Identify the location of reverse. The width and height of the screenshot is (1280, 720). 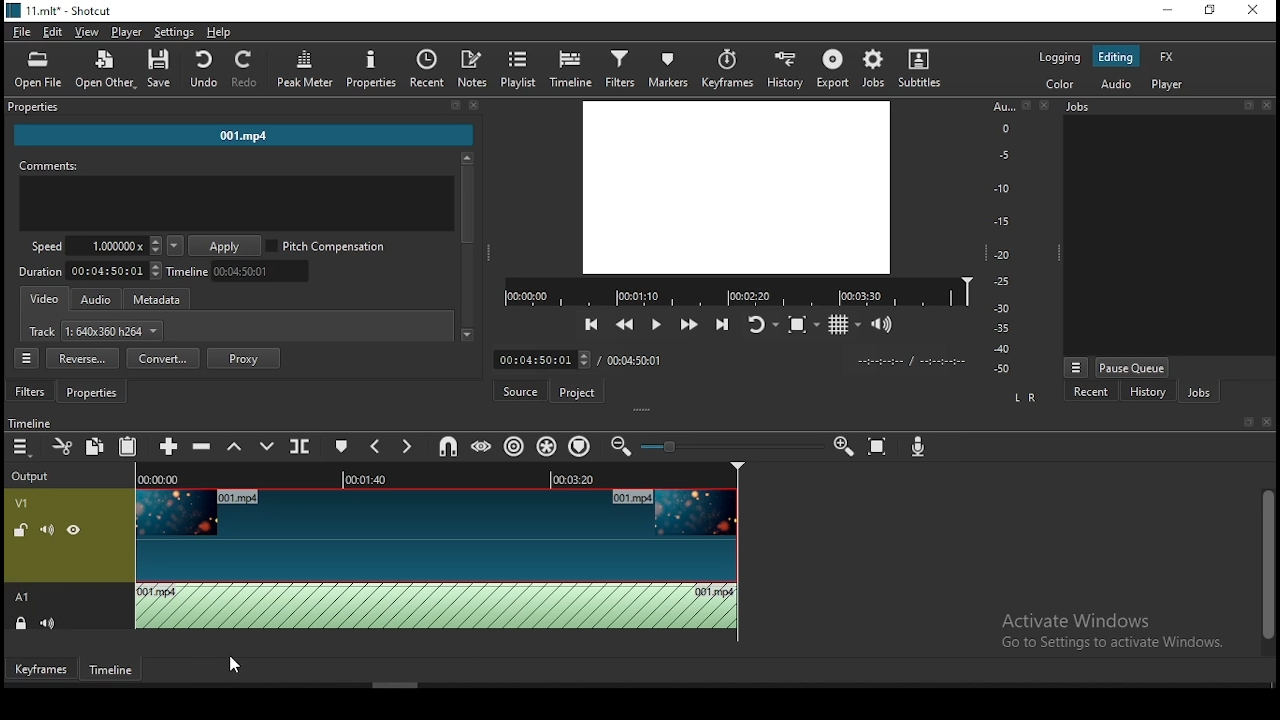
(84, 358).